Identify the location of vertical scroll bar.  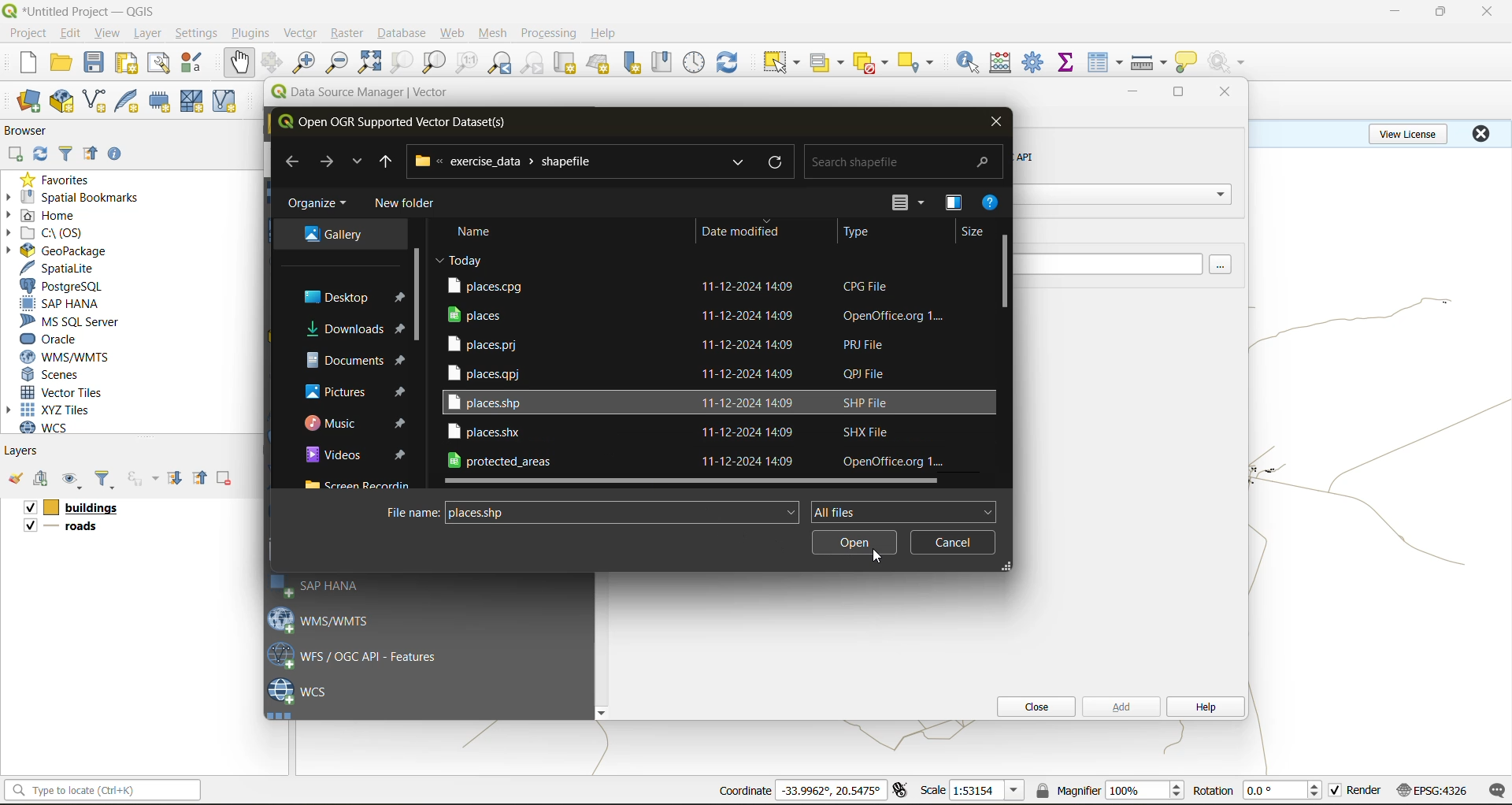
(416, 289).